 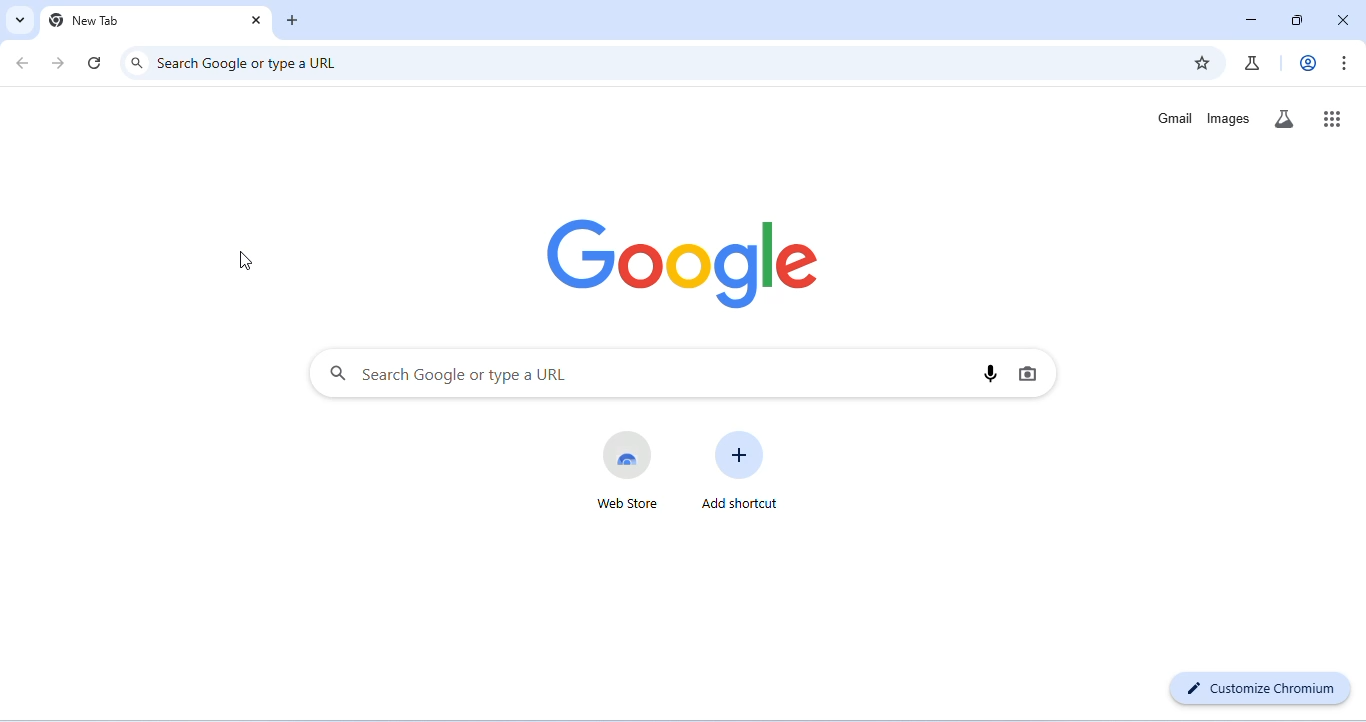 What do you see at coordinates (1229, 118) in the screenshot?
I see `images` at bounding box center [1229, 118].